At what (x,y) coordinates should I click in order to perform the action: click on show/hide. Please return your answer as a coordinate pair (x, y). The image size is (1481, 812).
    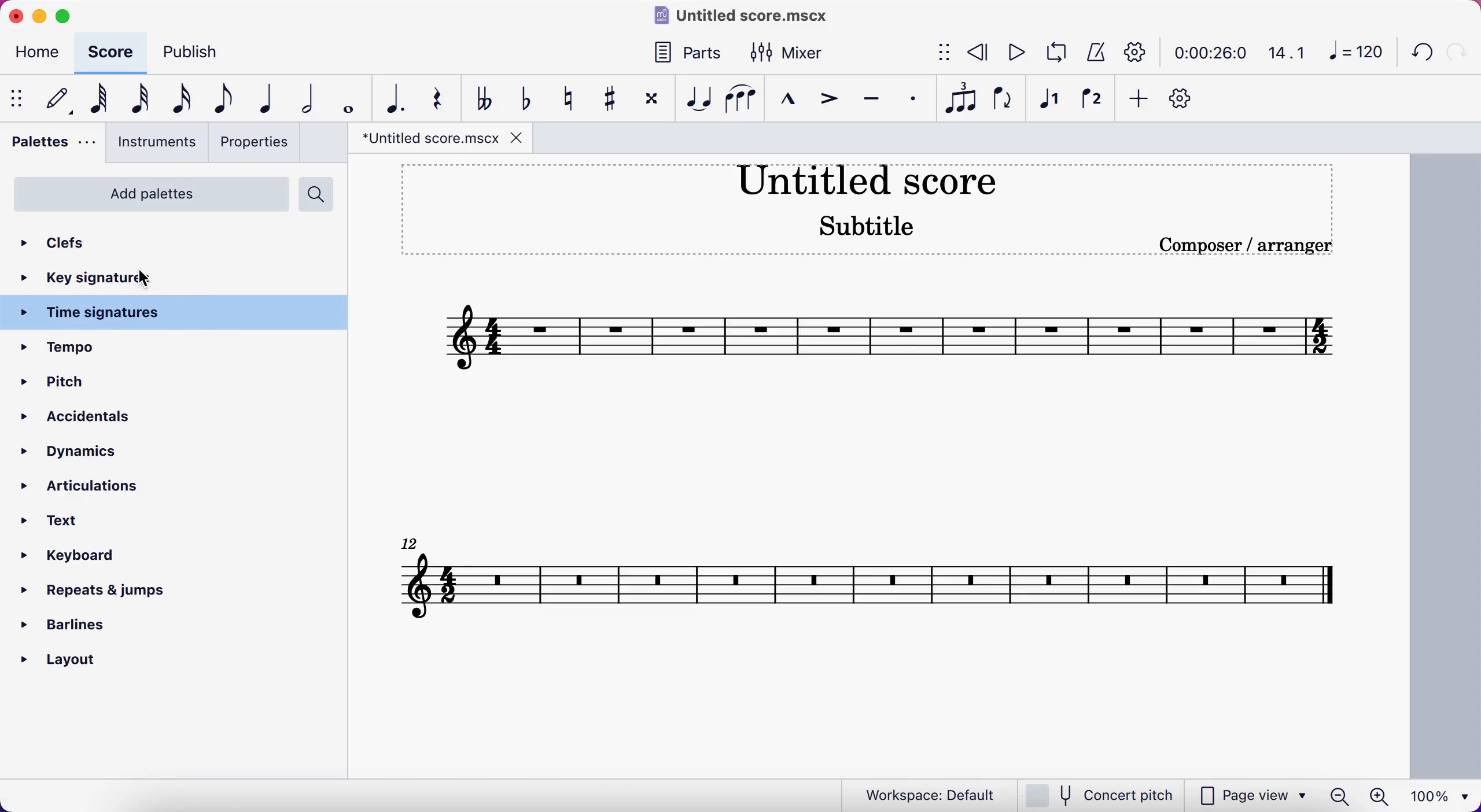
    Looking at the image, I should click on (943, 50).